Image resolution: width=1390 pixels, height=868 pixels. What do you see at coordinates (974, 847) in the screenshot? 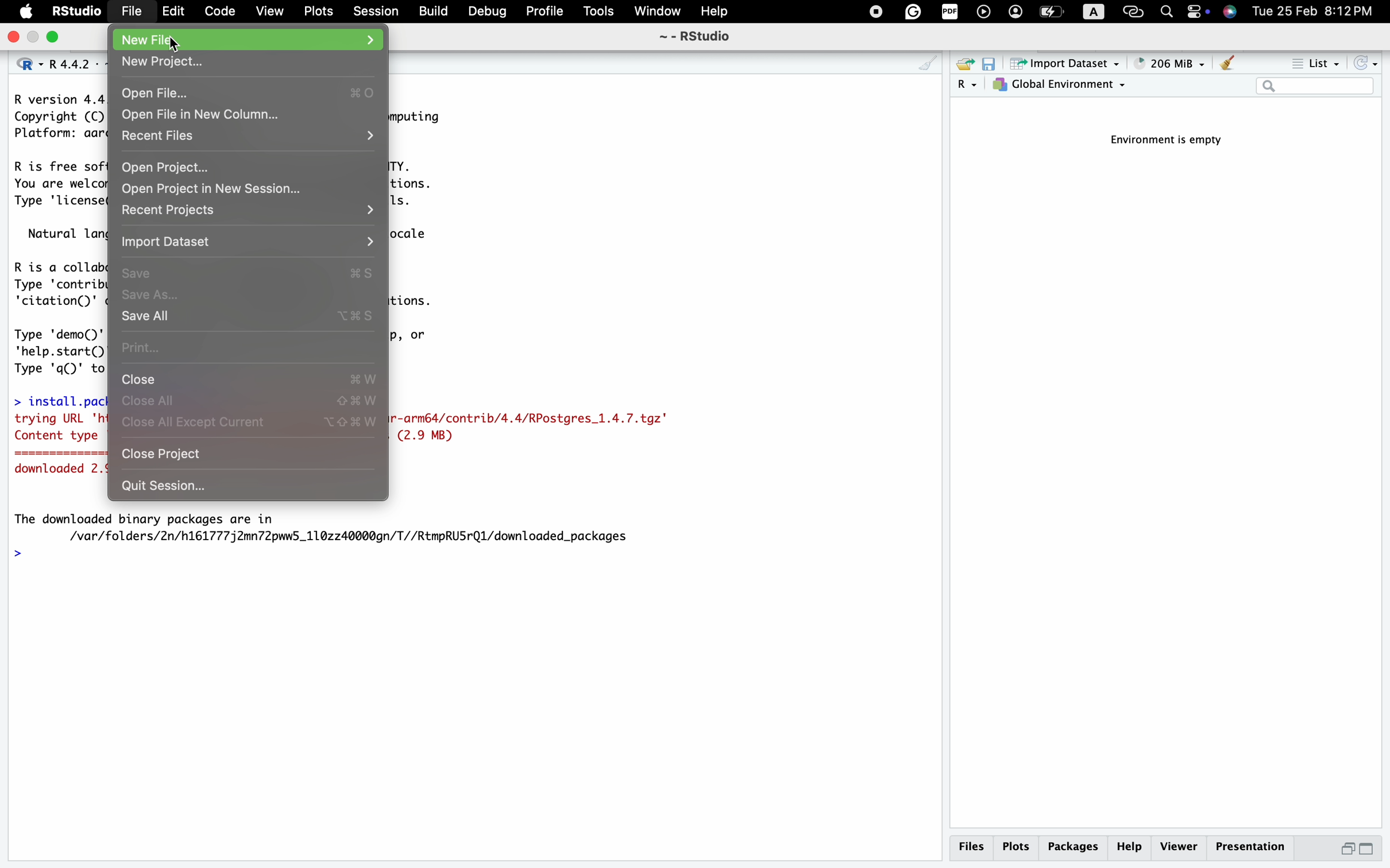
I see `files` at bounding box center [974, 847].